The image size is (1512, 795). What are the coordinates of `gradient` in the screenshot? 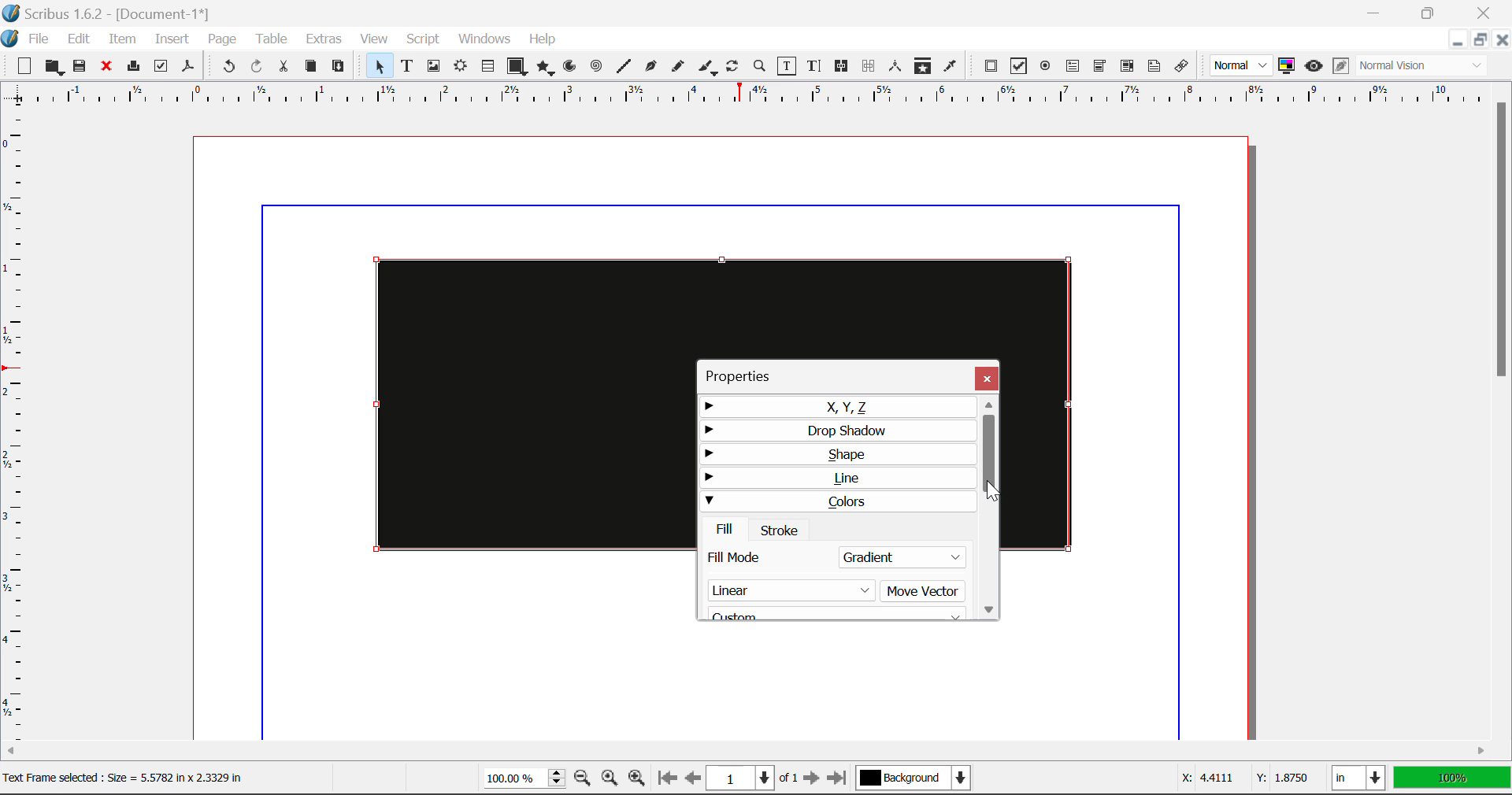 It's located at (902, 557).